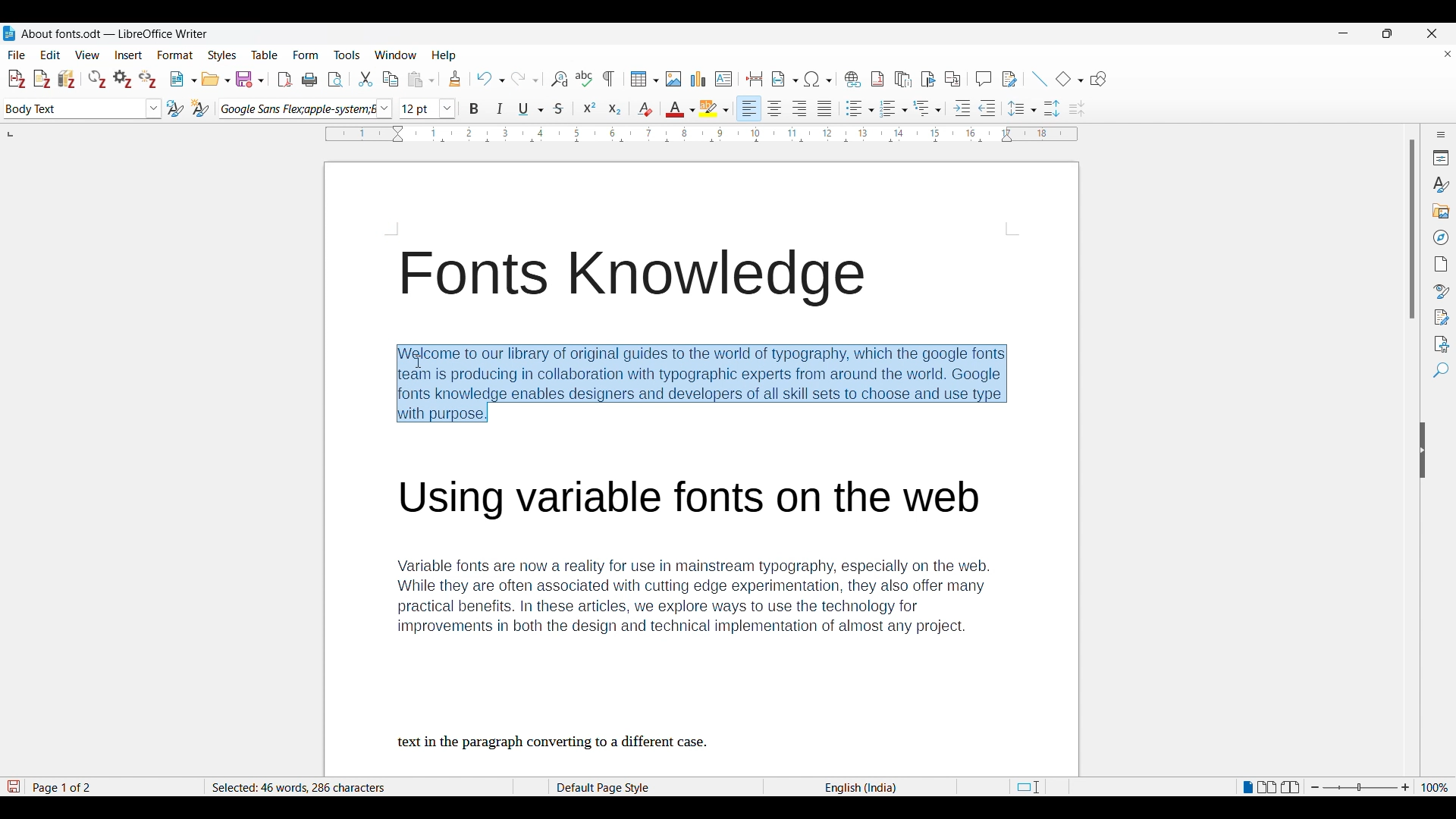 The image size is (1456, 819). What do you see at coordinates (928, 80) in the screenshot?
I see `Insert bookmark` at bounding box center [928, 80].